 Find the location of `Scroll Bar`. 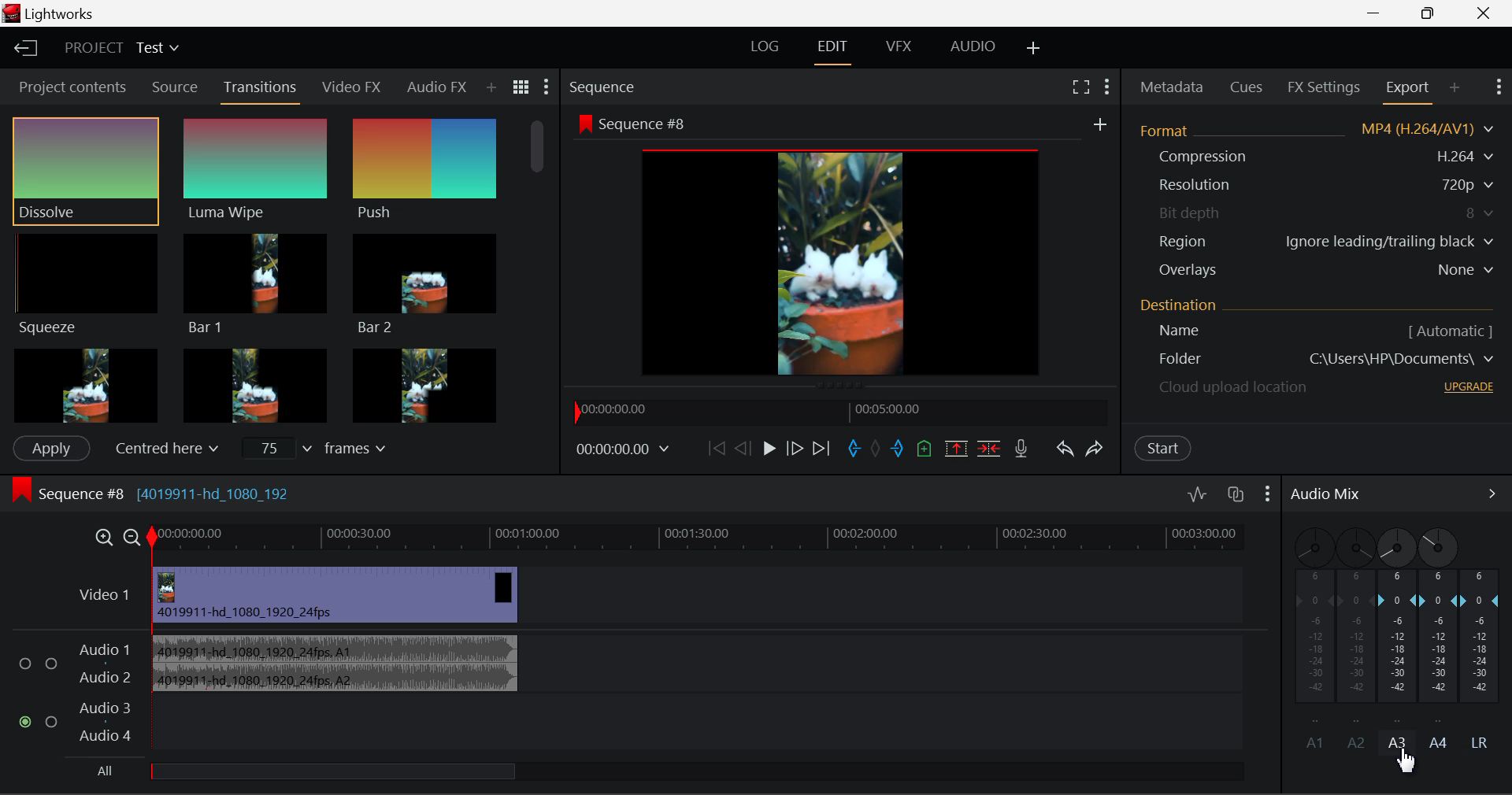

Scroll Bar is located at coordinates (535, 269).